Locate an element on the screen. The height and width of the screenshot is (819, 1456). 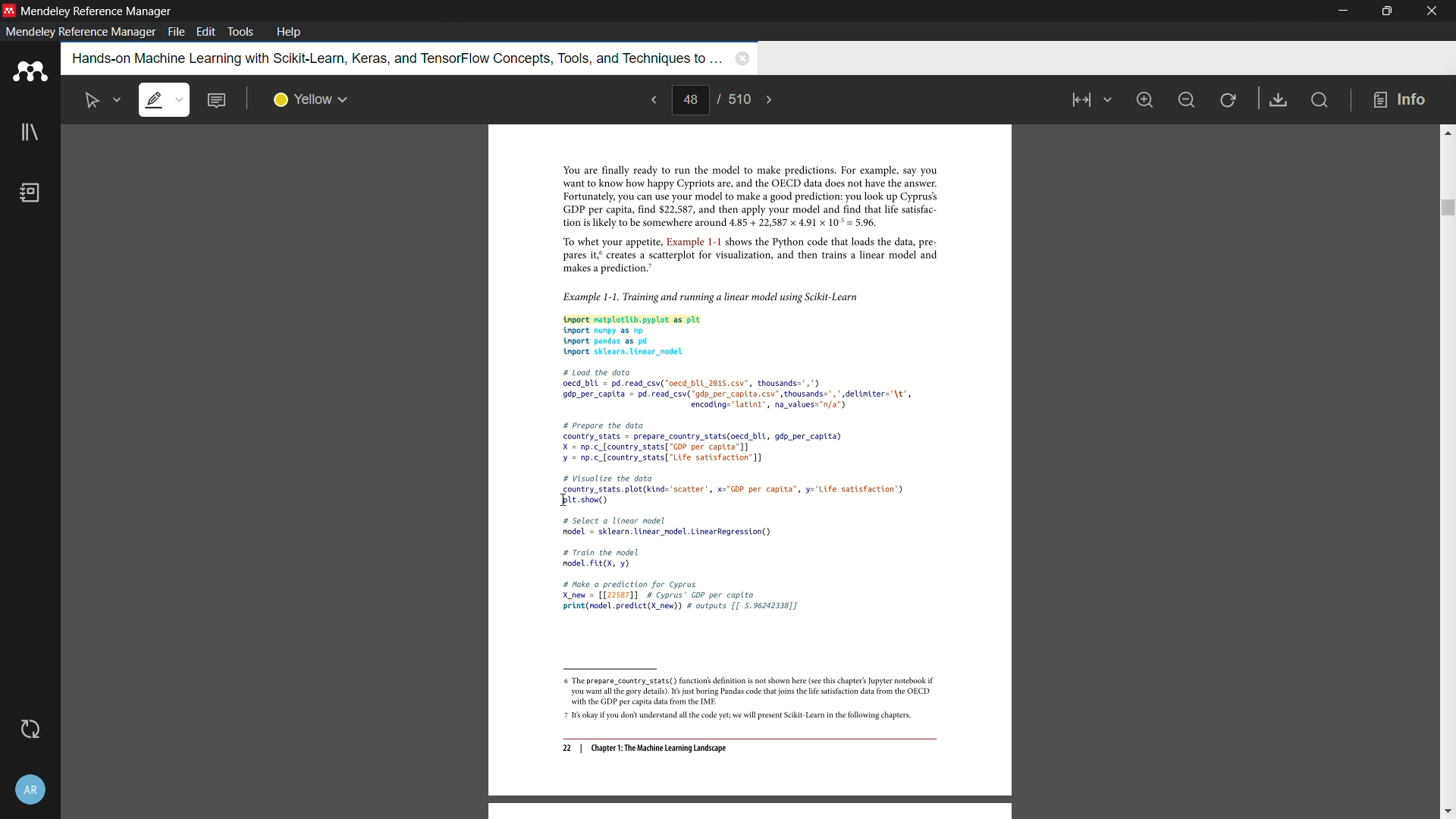
app icon is located at coordinates (30, 72).